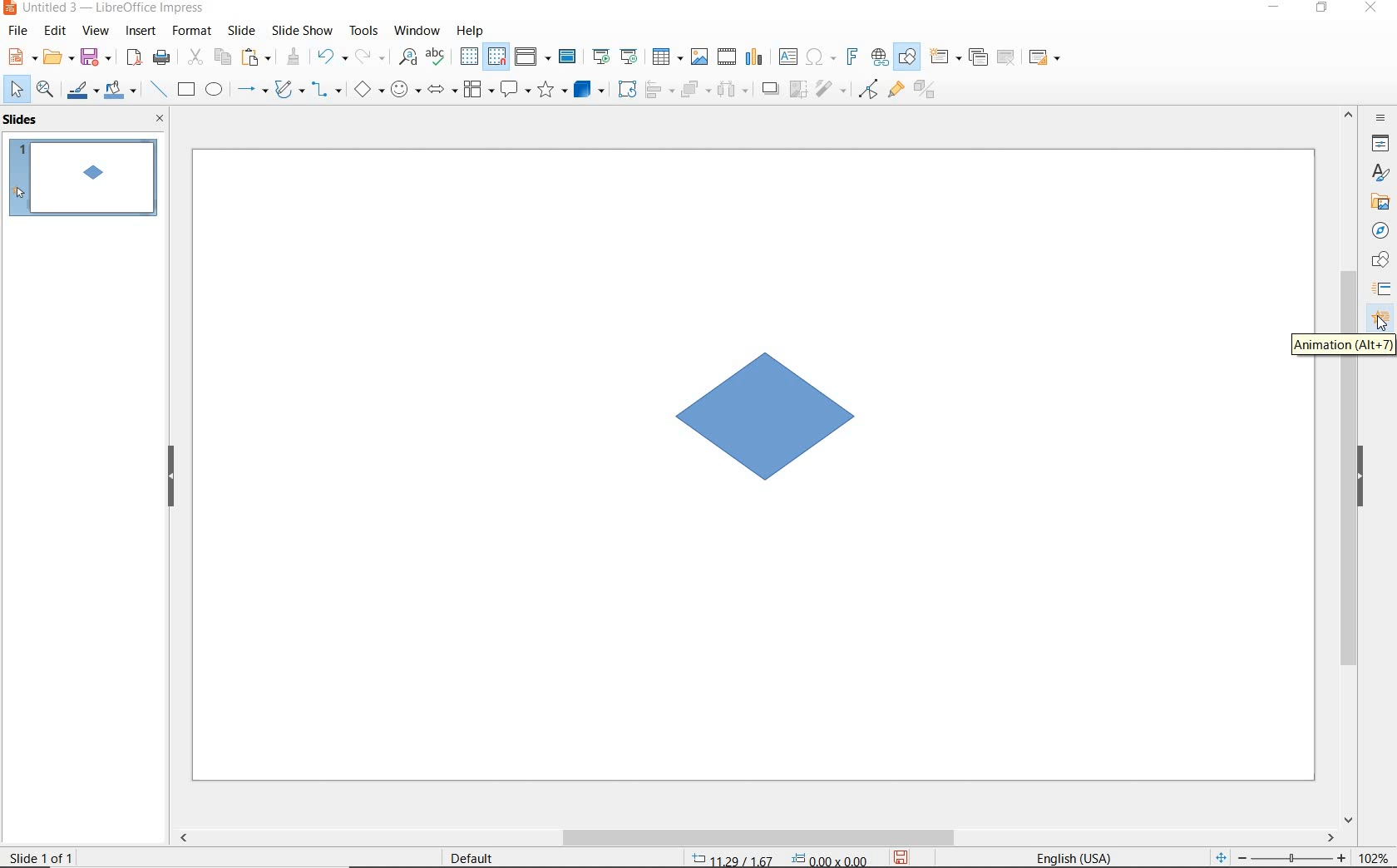 This screenshot has height=868, width=1397. Describe the element at coordinates (479, 89) in the screenshot. I see `flowchart` at that location.